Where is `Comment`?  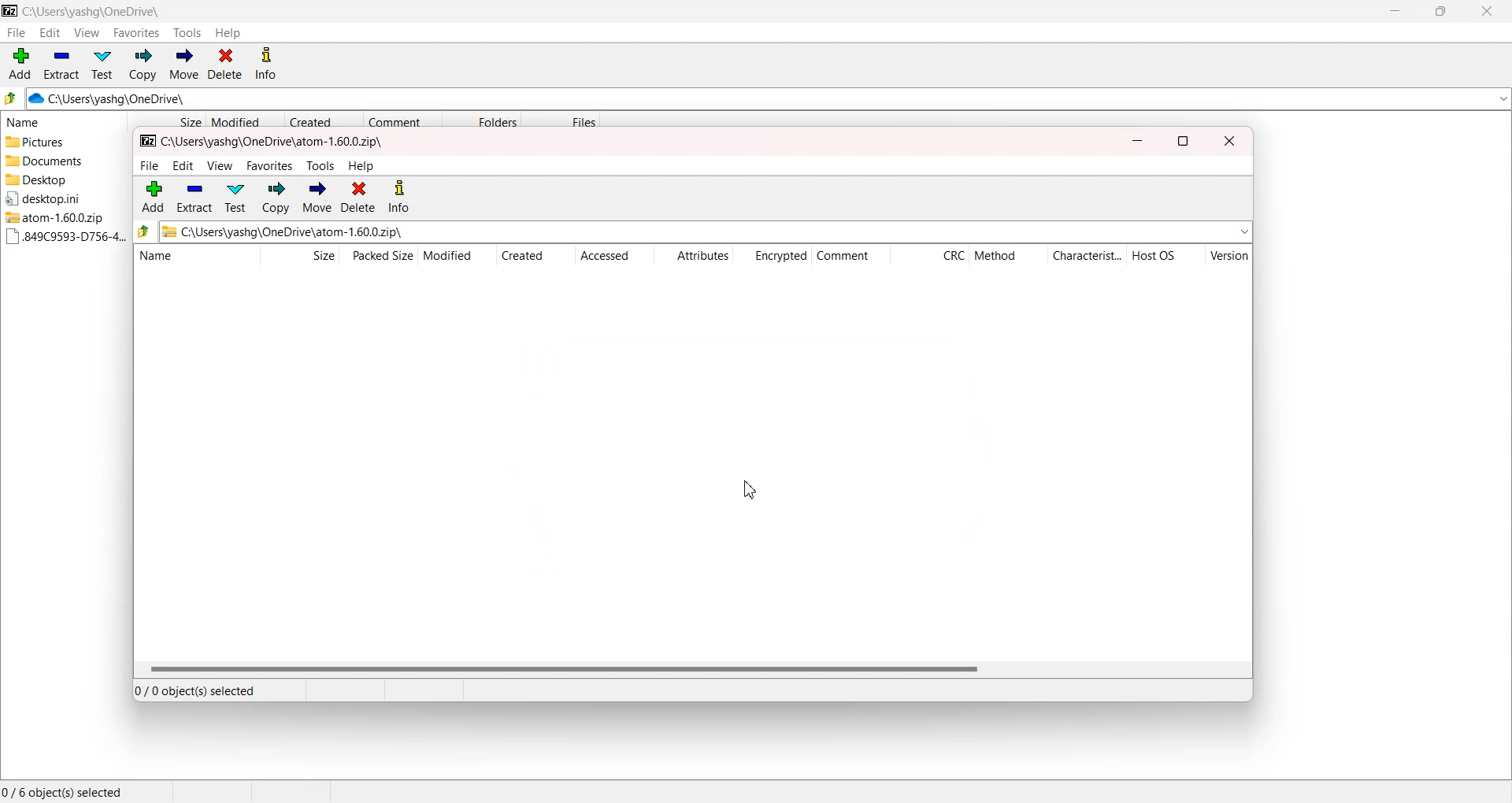
Comment is located at coordinates (402, 120).